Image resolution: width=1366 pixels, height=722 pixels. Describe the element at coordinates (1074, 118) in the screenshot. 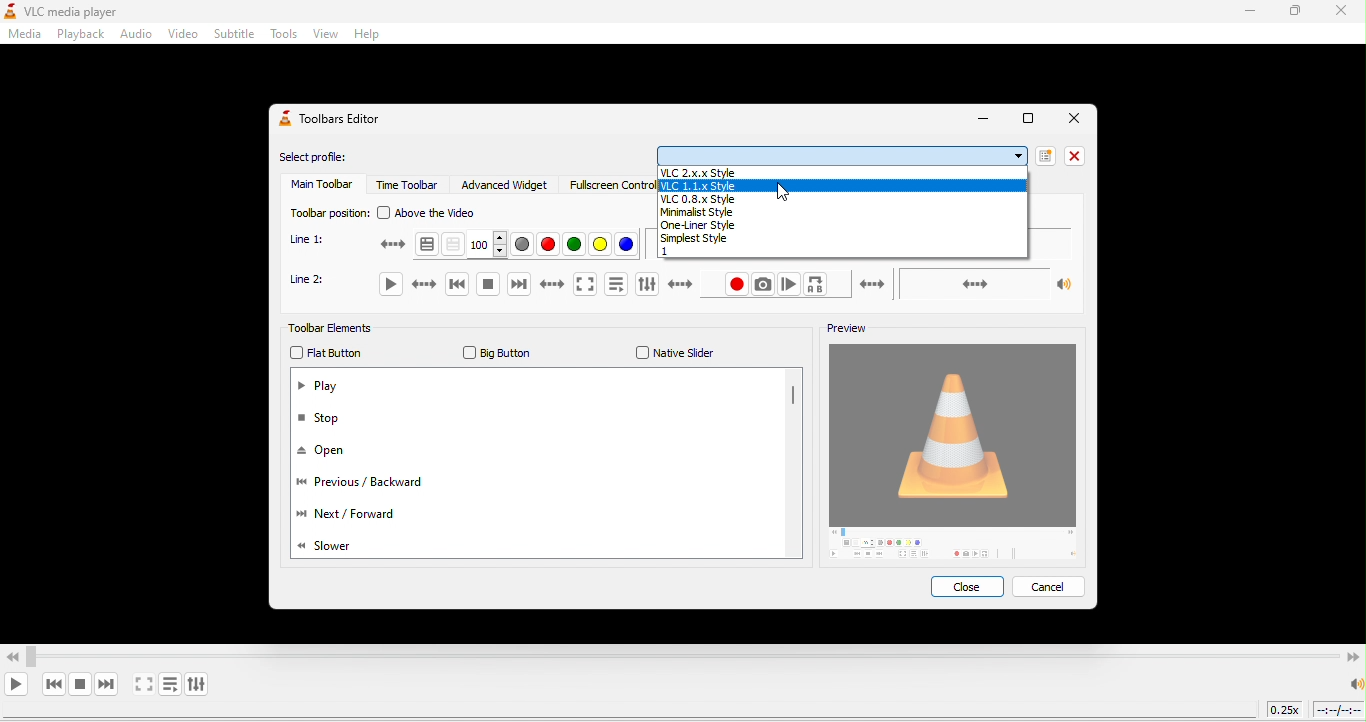

I see `Close` at that location.